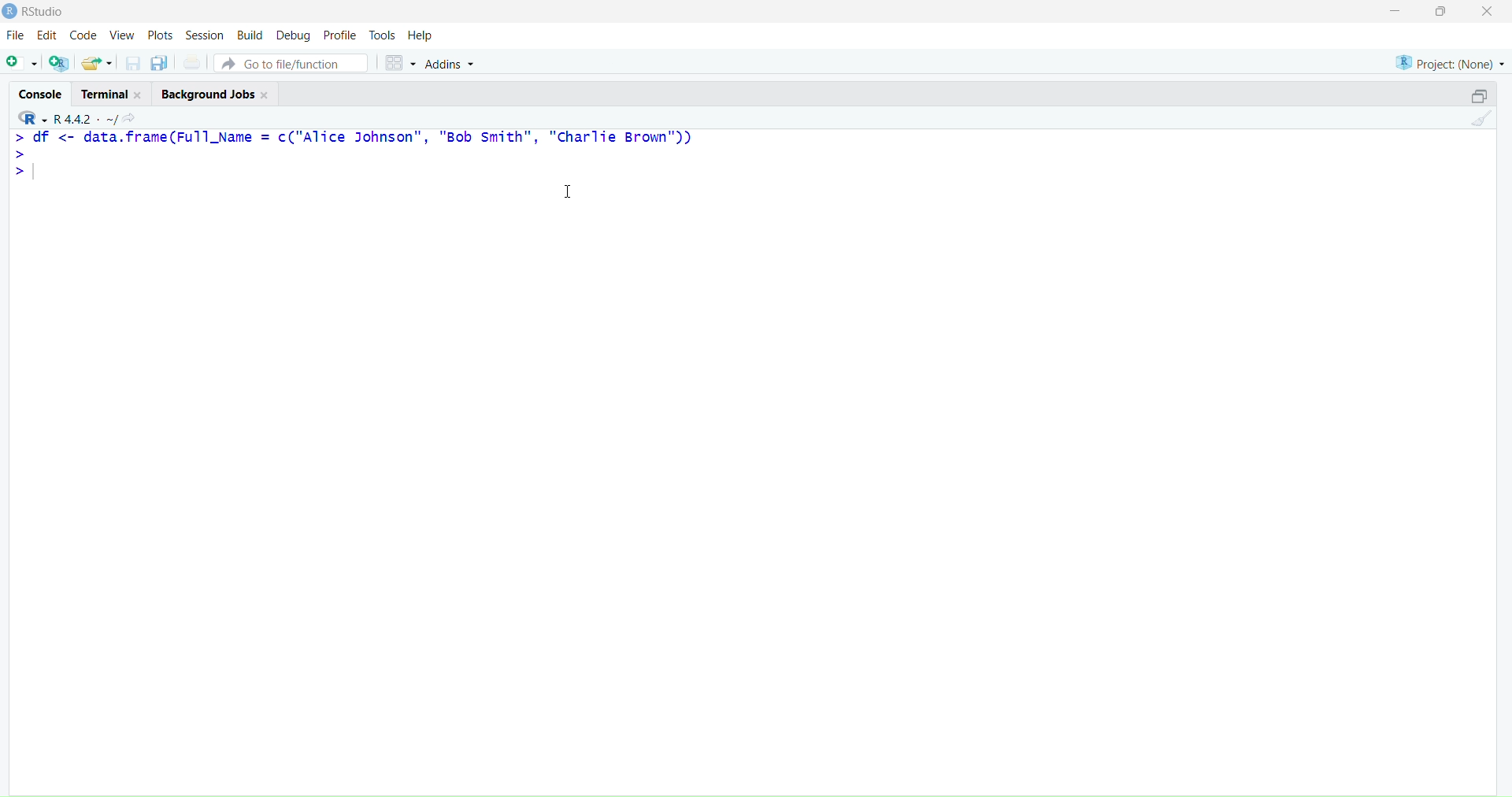 The height and width of the screenshot is (797, 1512). What do you see at coordinates (453, 64) in the screenshot?
I see `Addins` at bounding box center [453, 64].